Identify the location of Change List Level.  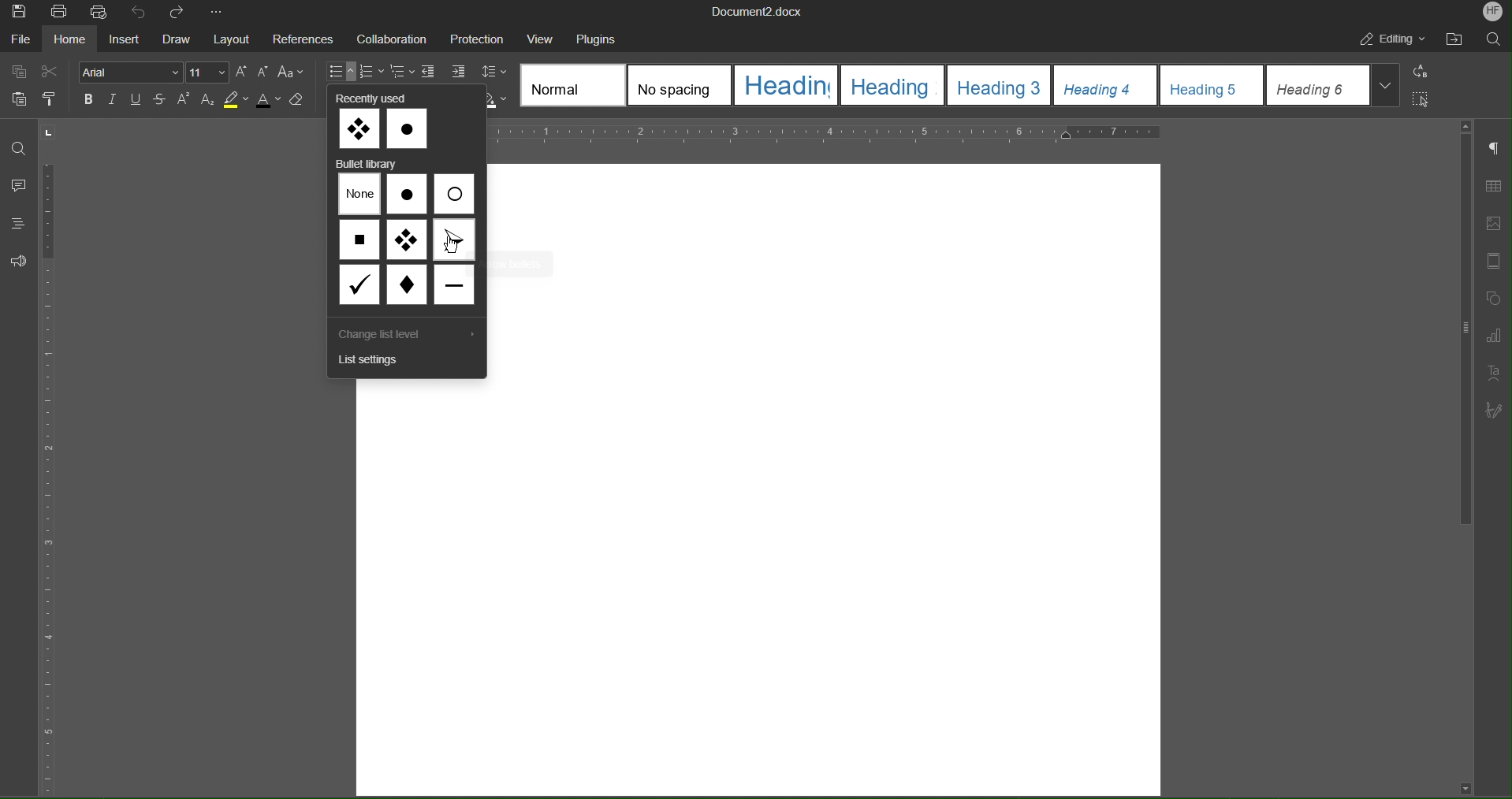
(394, 337).